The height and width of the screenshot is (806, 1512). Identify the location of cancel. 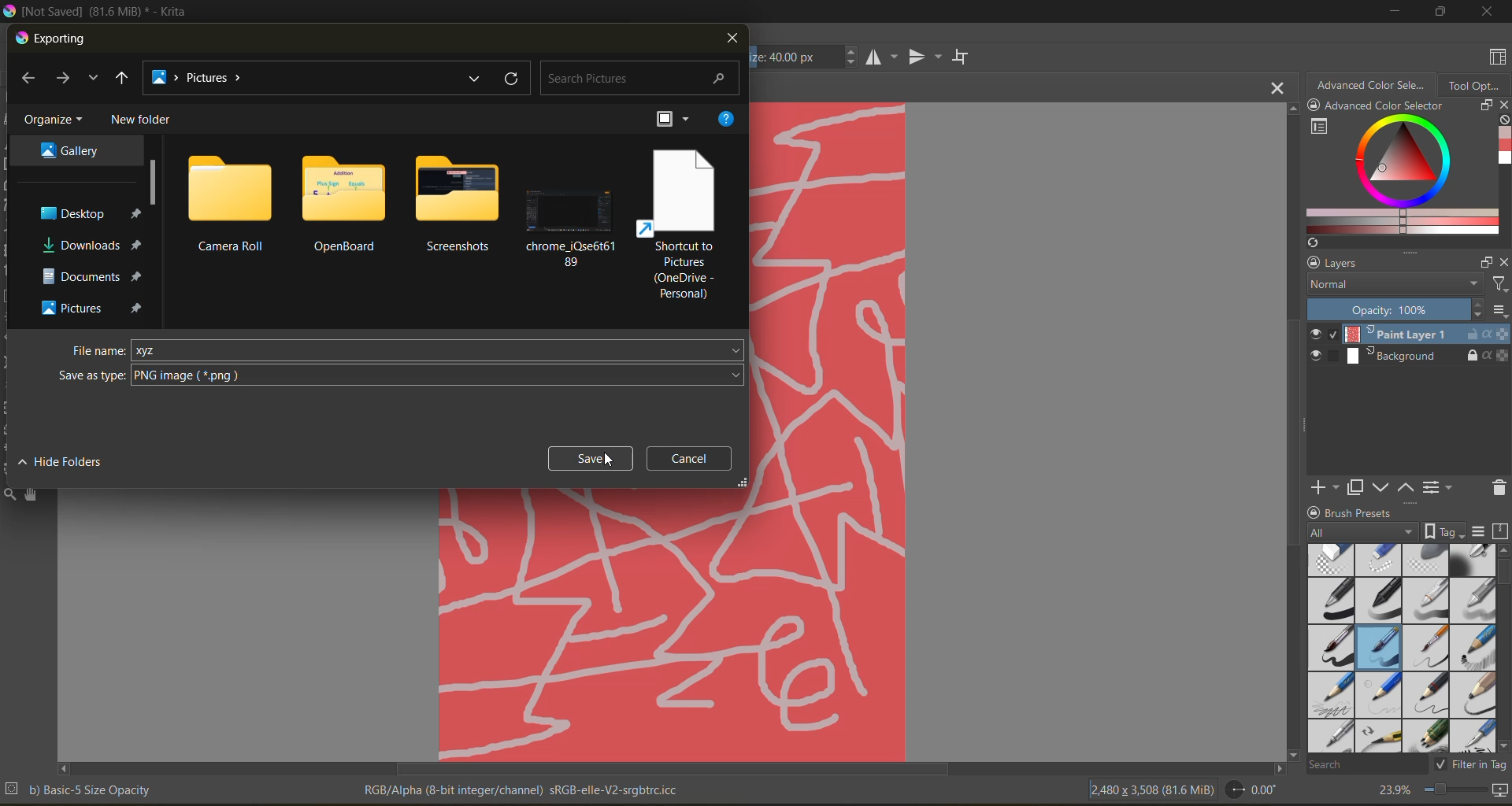
(695, 458).